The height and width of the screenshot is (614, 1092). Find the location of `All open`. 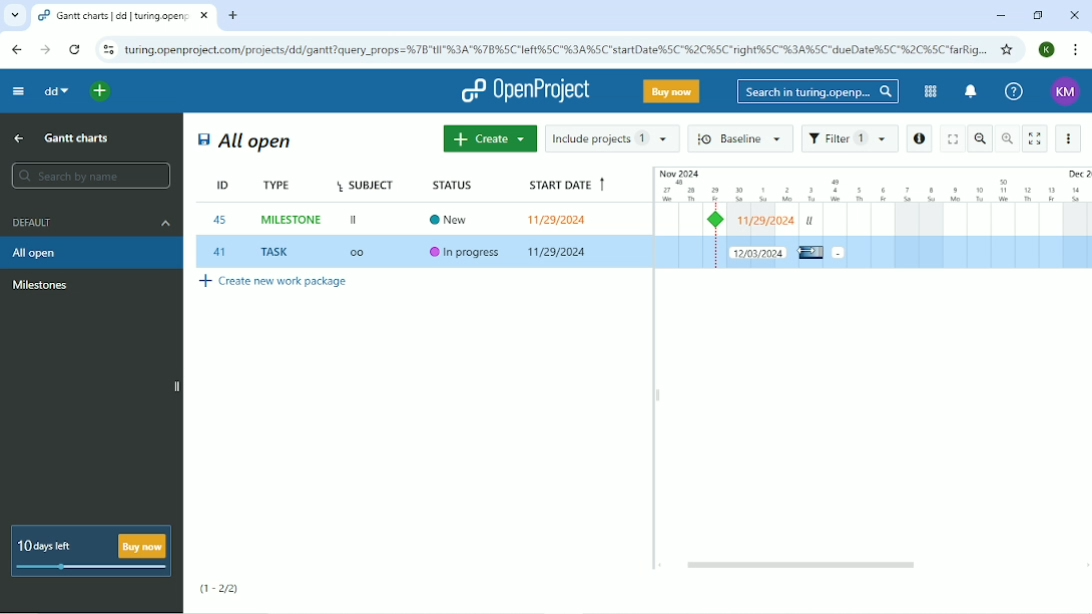

All open is located at coordinates (245, 141).